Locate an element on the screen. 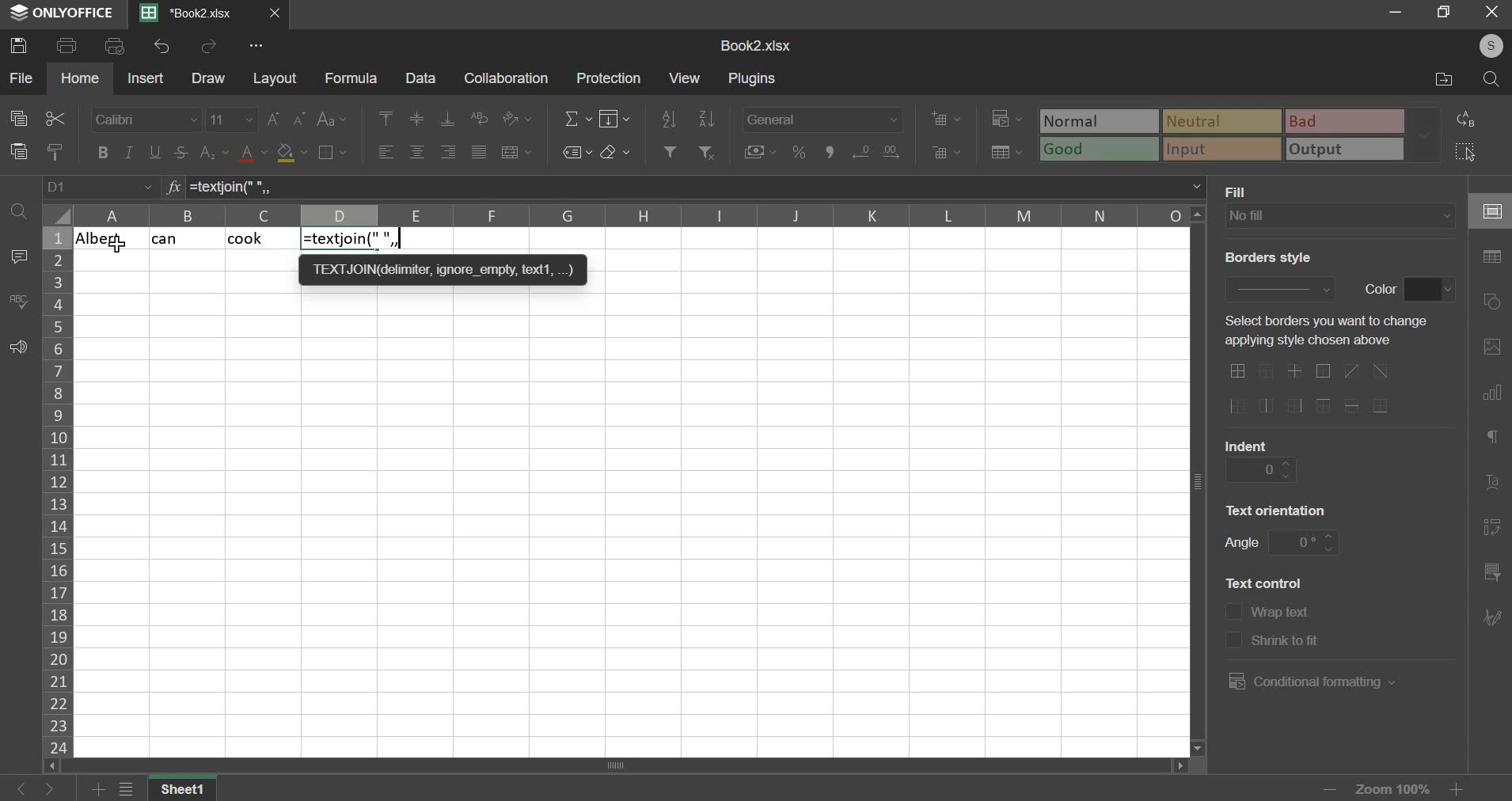 The image size is (1512, 801). comma style is located at coordinates (833, 152).